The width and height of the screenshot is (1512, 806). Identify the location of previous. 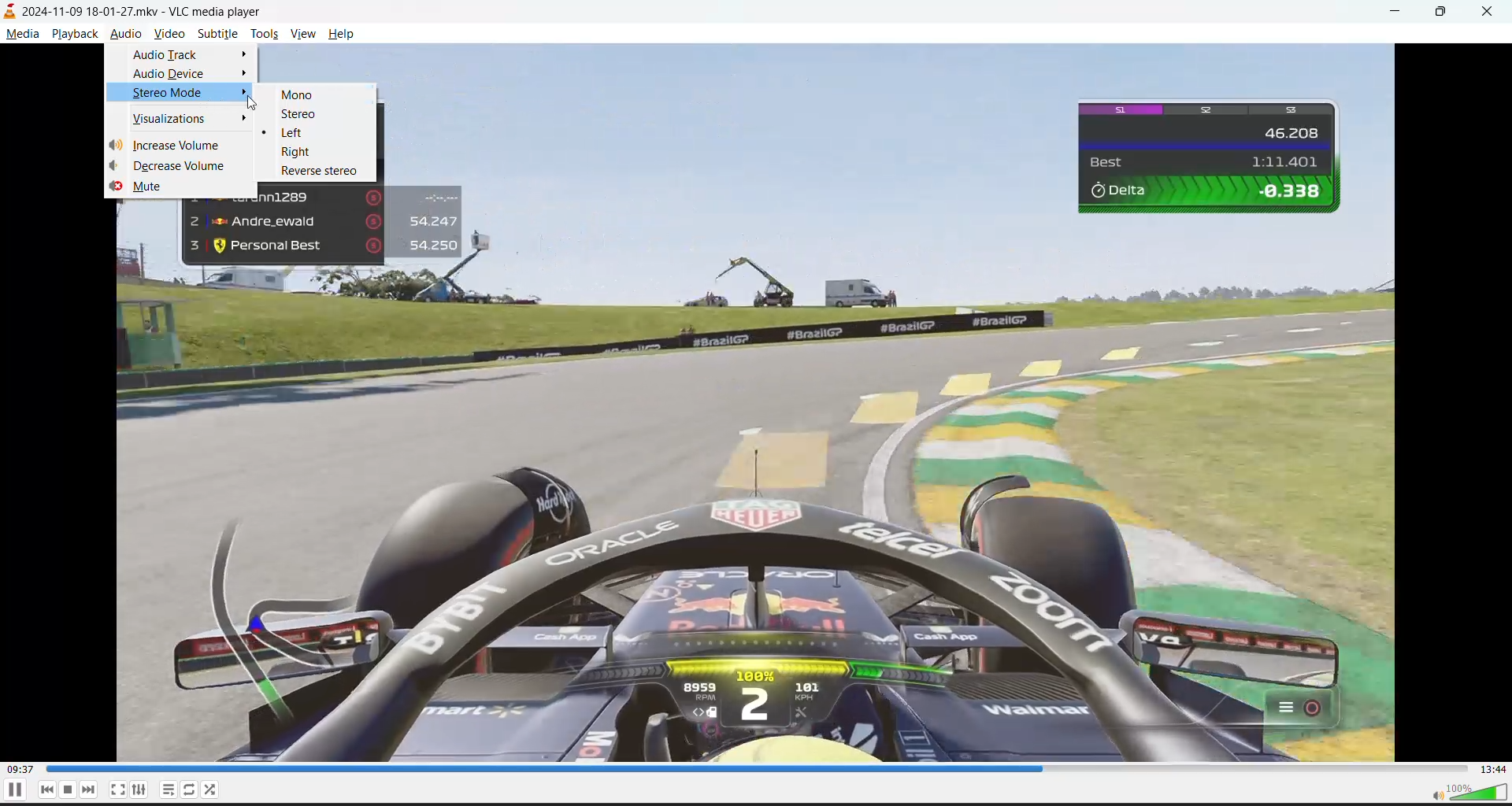
(47, 789).